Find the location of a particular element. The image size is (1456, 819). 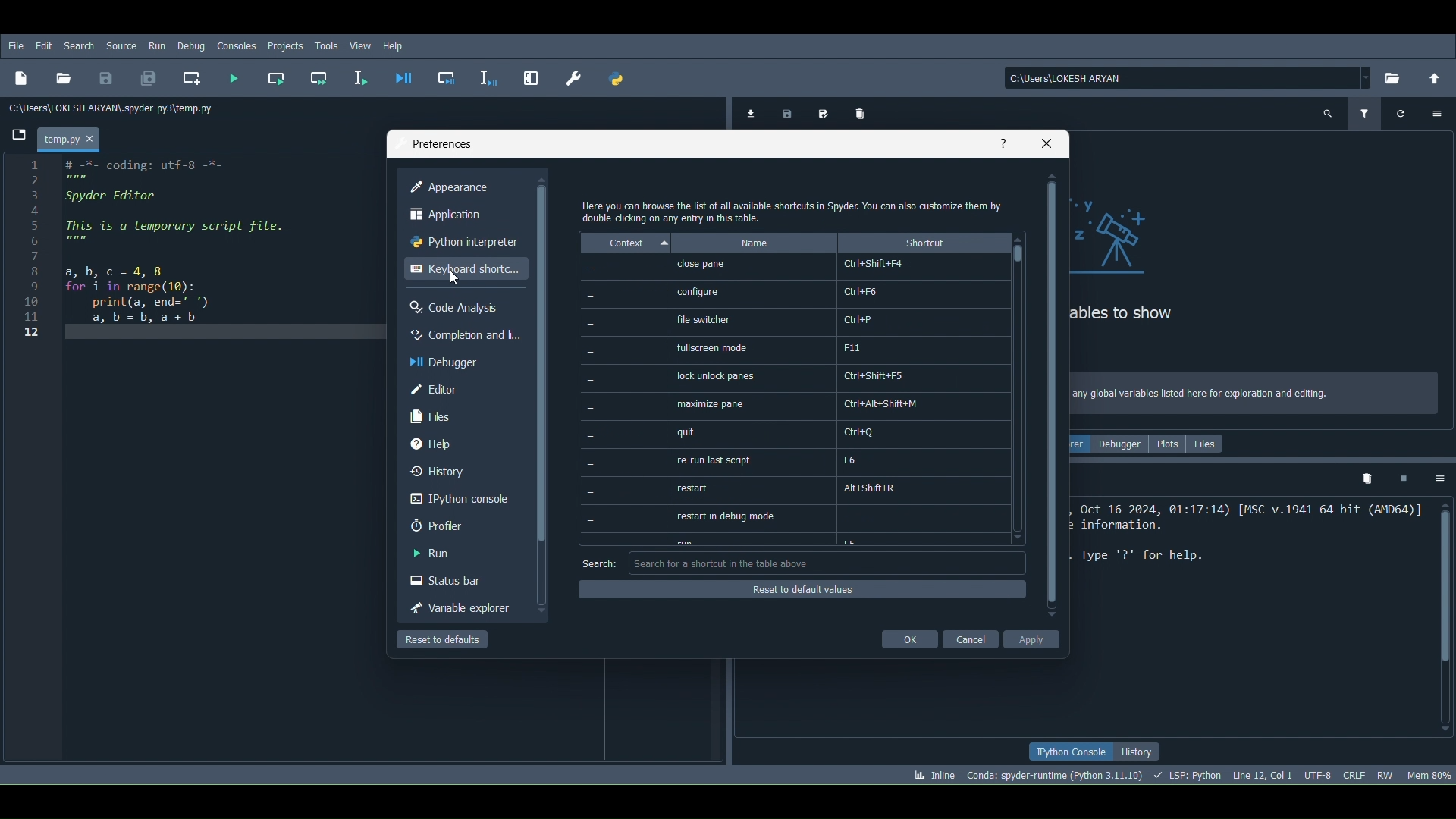

view is located at coordinates (362, 44).